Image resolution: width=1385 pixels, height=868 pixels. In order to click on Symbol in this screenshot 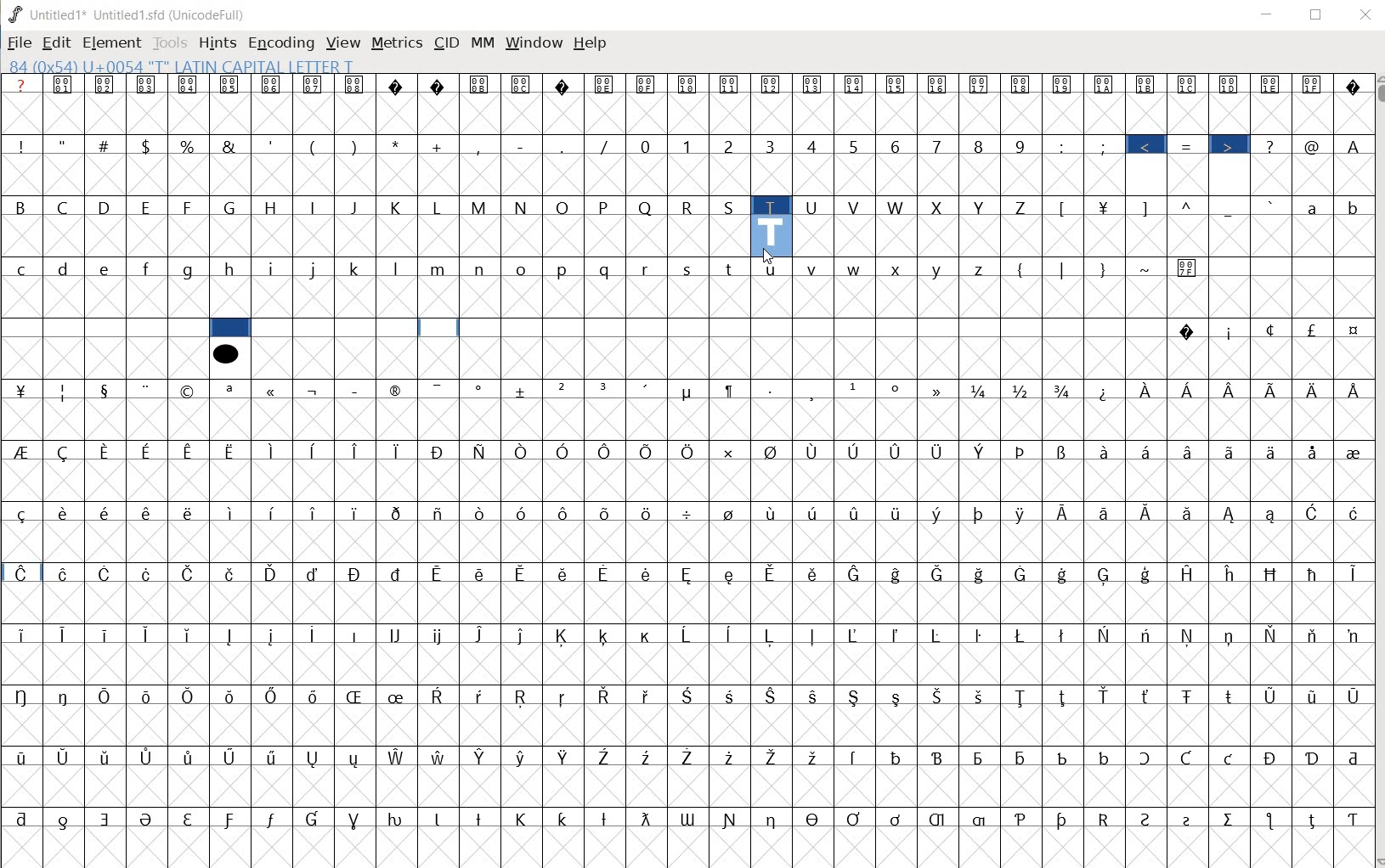, I will do `click(232, 821)`.